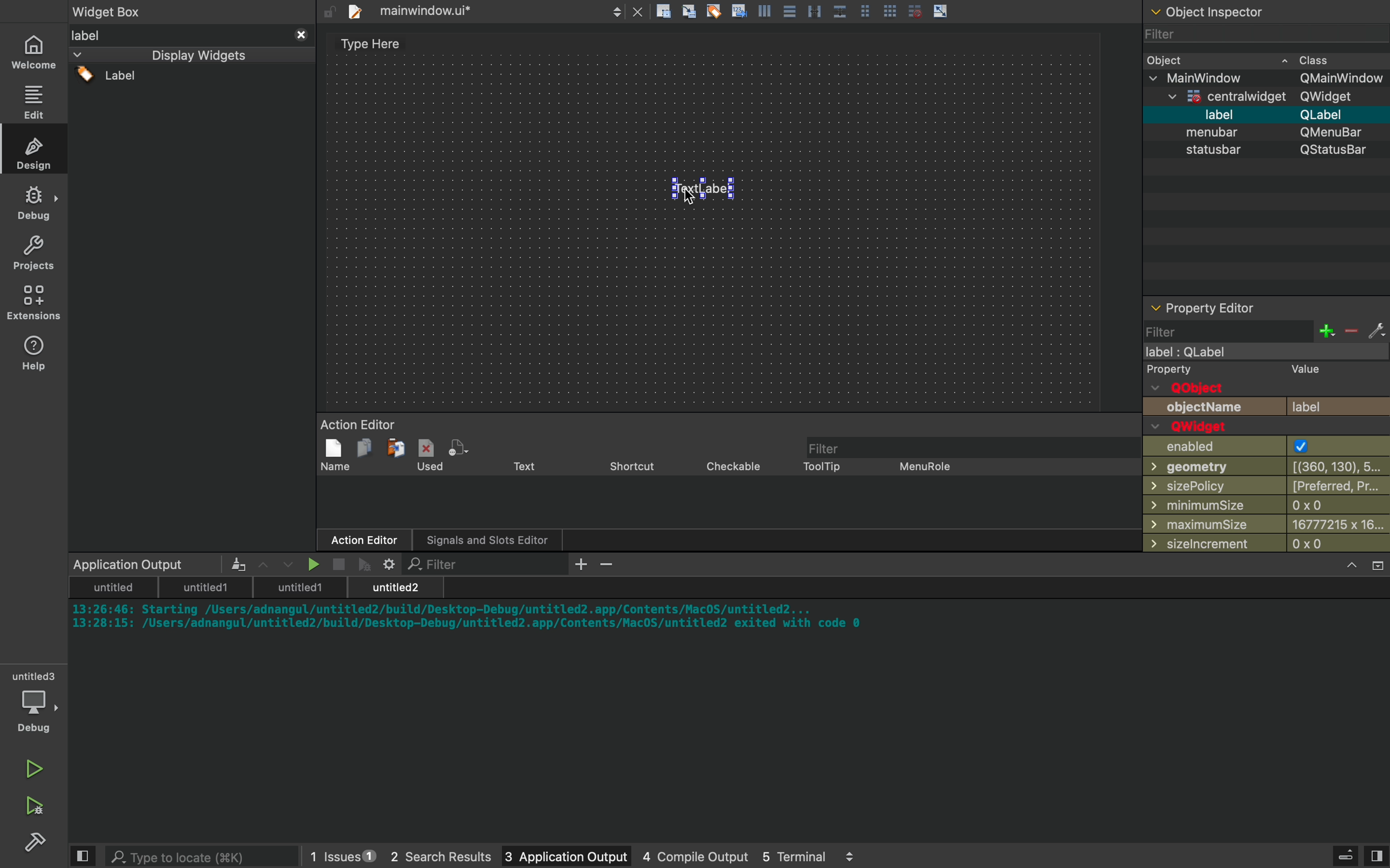 The image size is (1390, 868). What do you see at coordinates (192, 289) in the screenshot?
I see `widgets` at bounding box center [192, 289].